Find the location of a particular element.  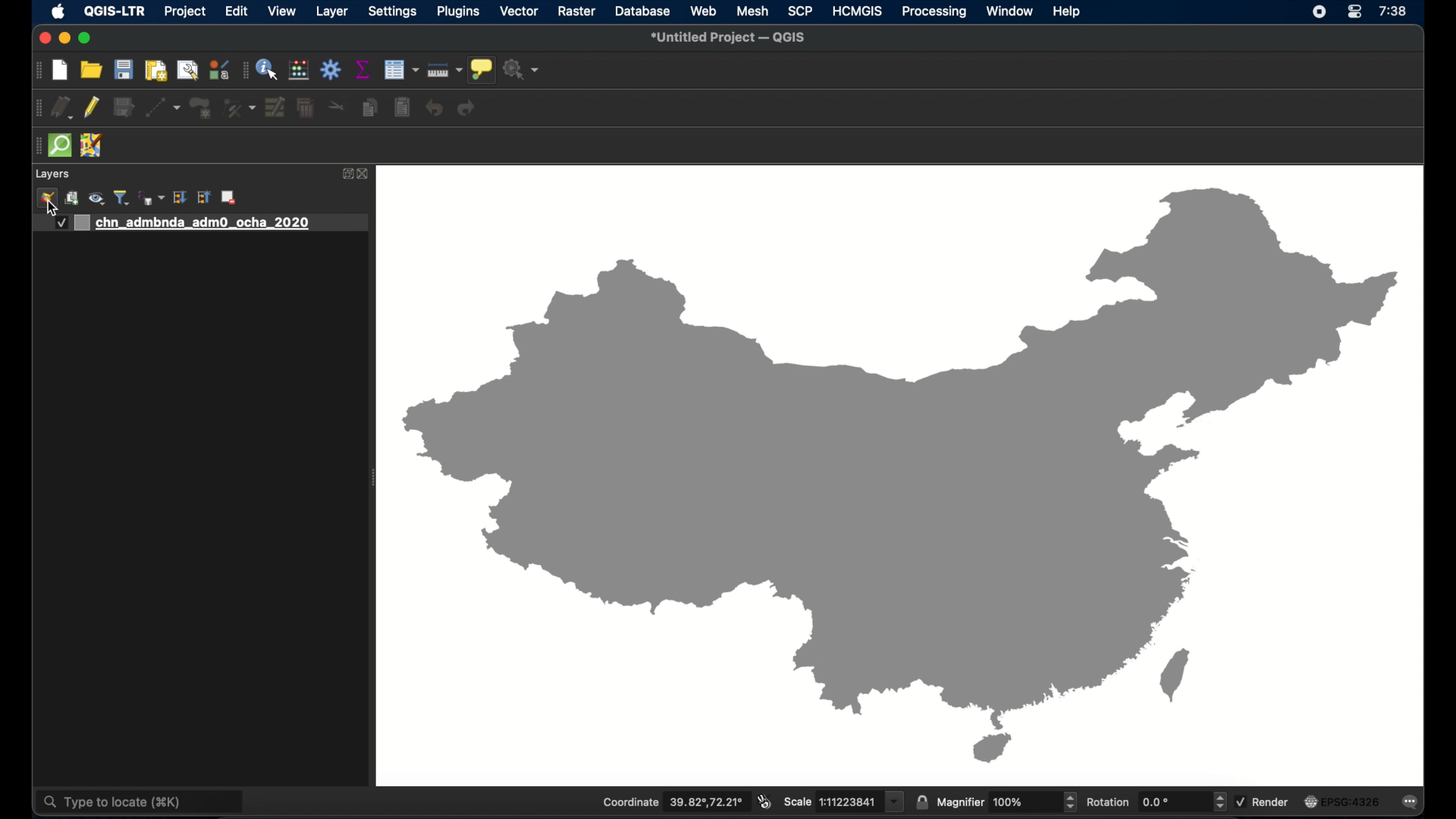

show map tips is located at coordinates (482, 69).